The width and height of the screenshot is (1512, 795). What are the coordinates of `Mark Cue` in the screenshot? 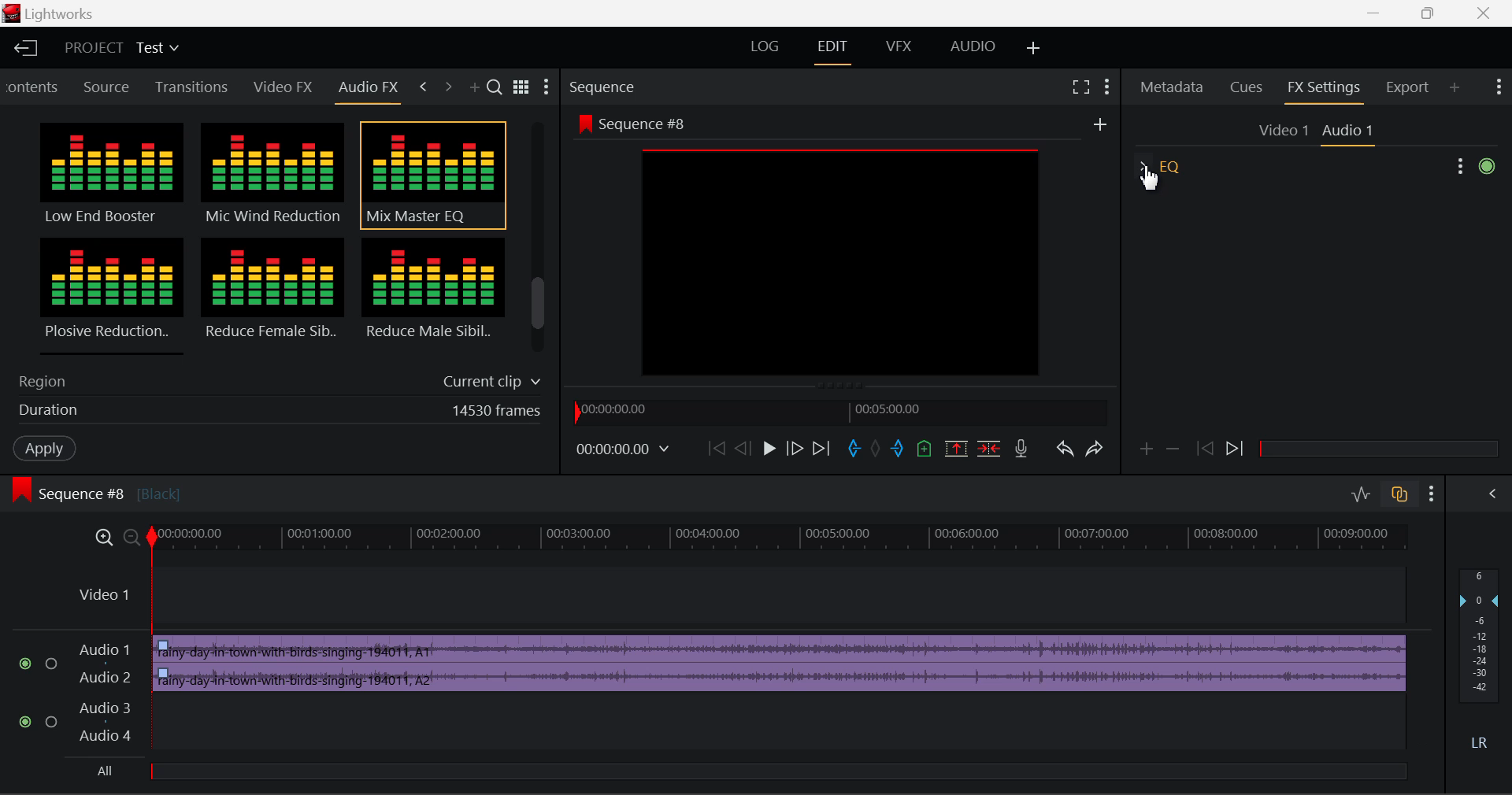 It's located at (923, 449).